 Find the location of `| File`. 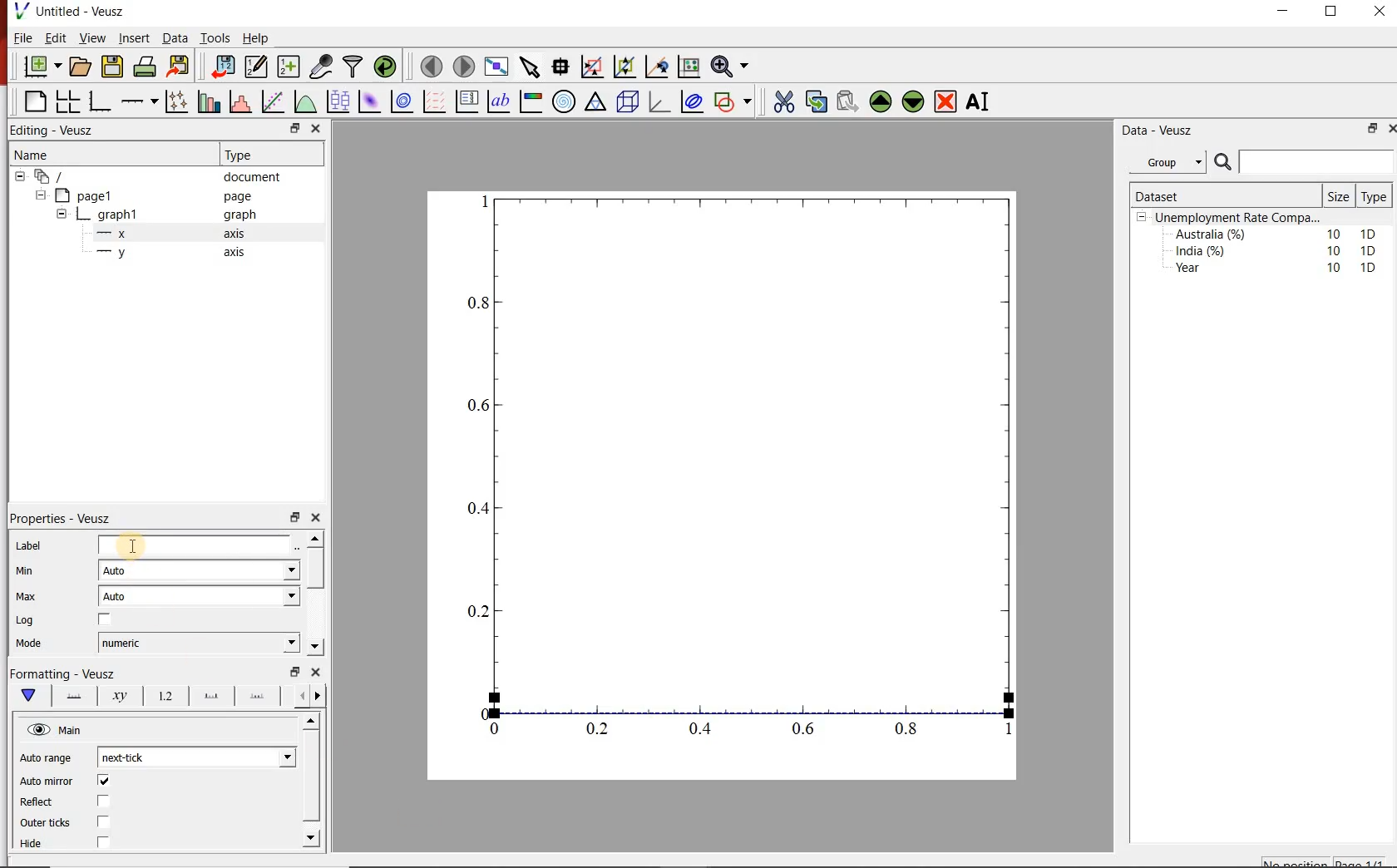

| File is located at coordinates (19, 37).